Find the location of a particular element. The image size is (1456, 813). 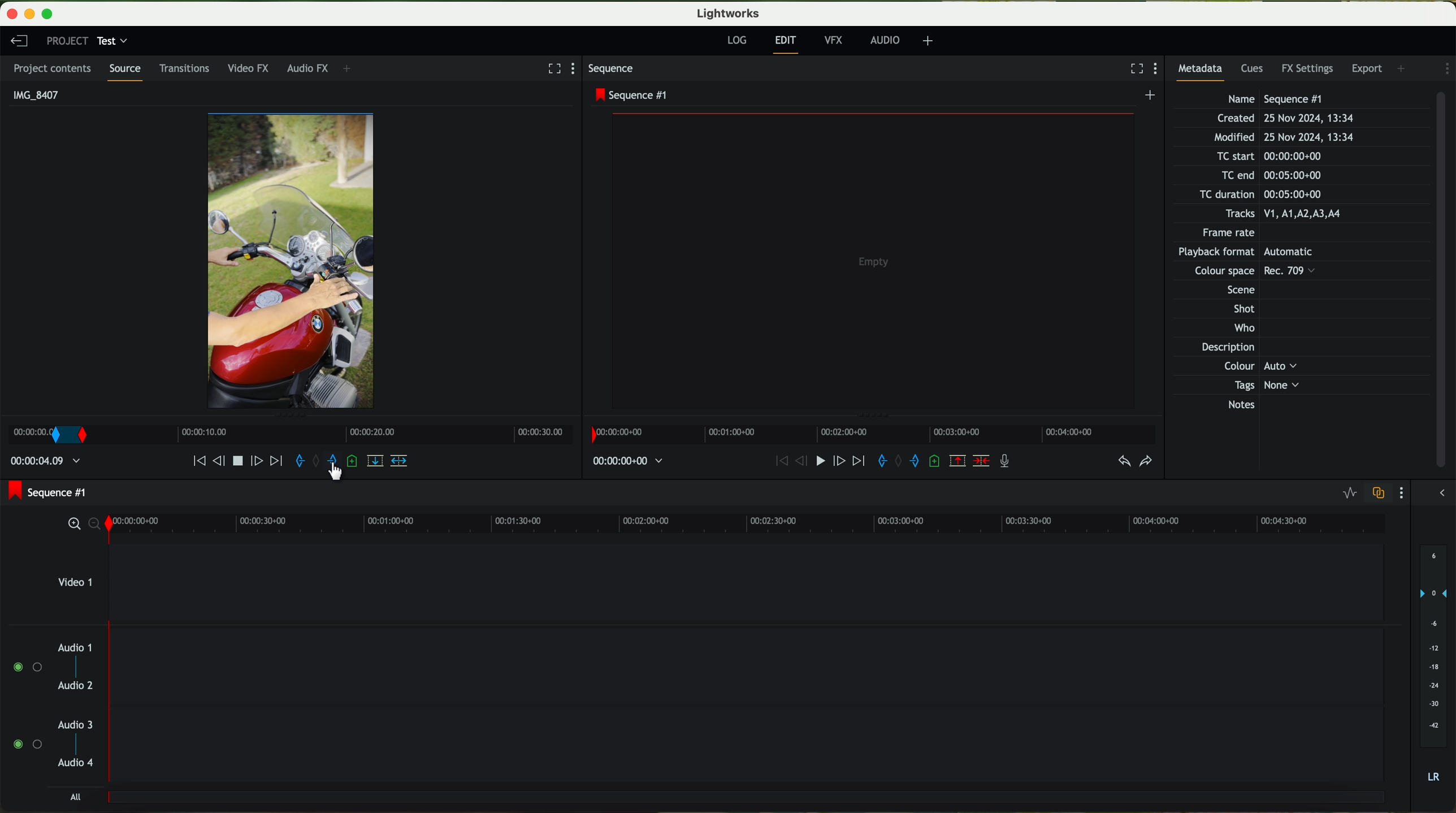

 is located at coordinates (1242, 273).